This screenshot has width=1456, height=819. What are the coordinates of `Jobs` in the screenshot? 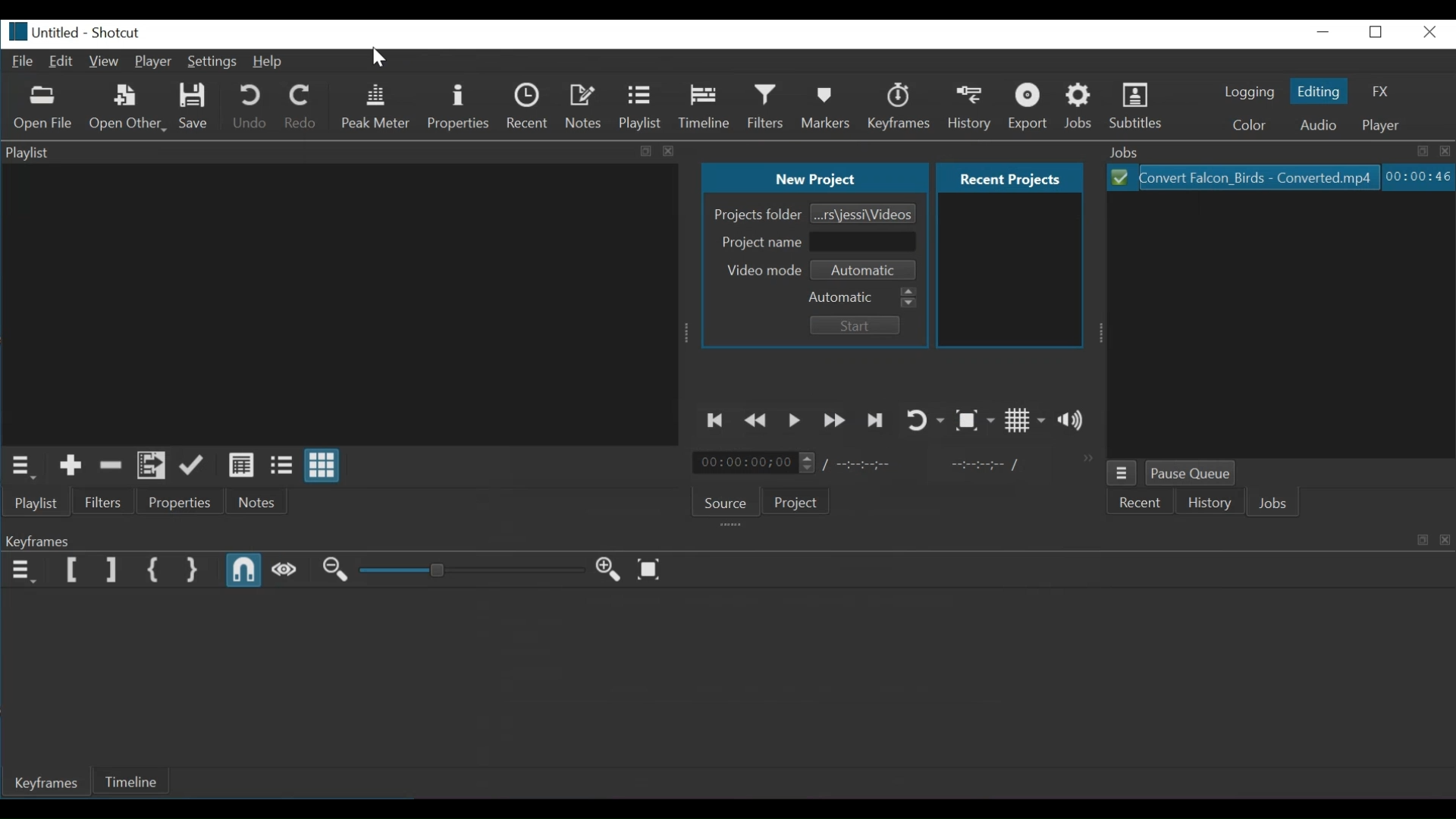 It's located at (1080, 105).